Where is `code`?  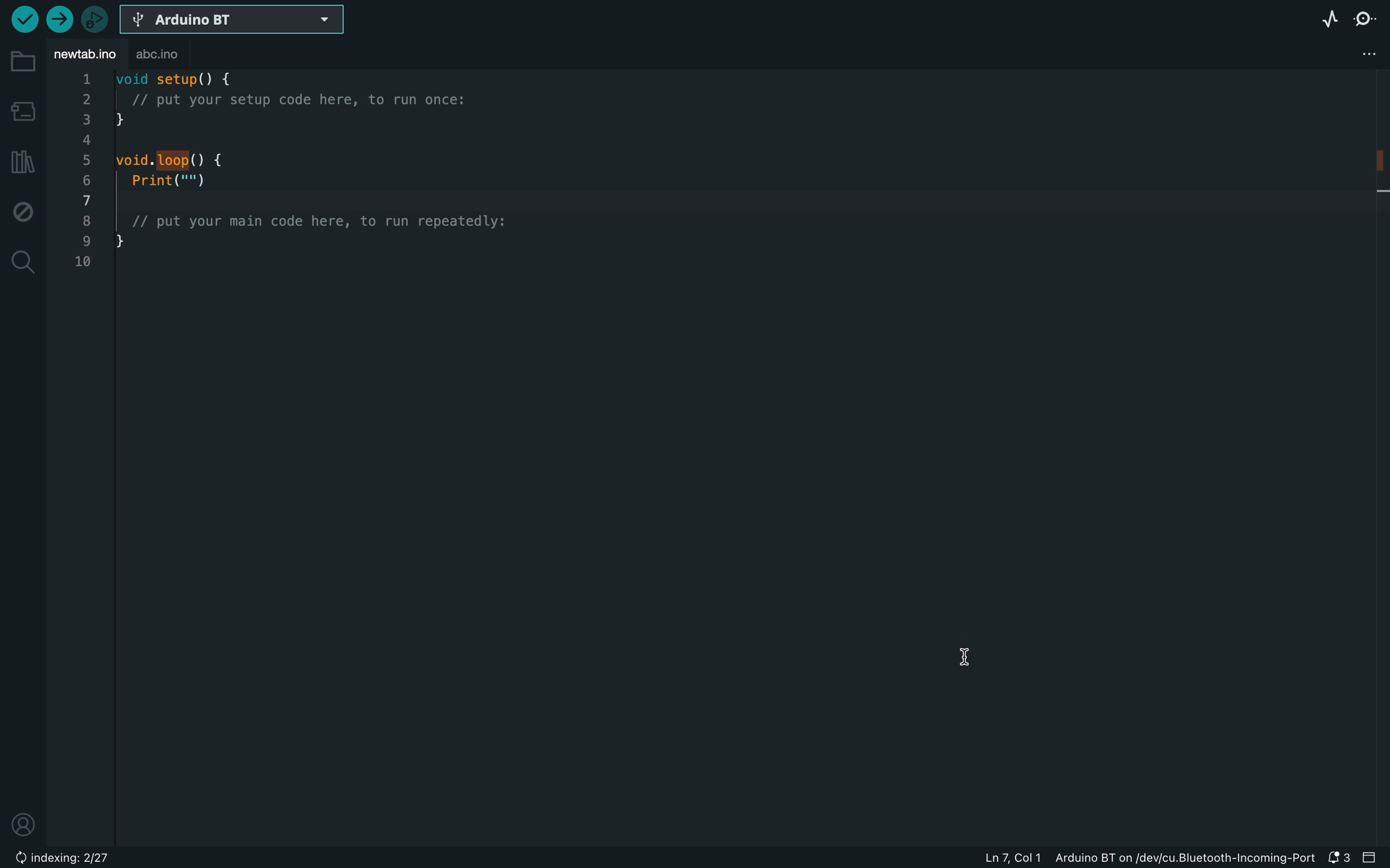
code is located at coordinates (310, 177).